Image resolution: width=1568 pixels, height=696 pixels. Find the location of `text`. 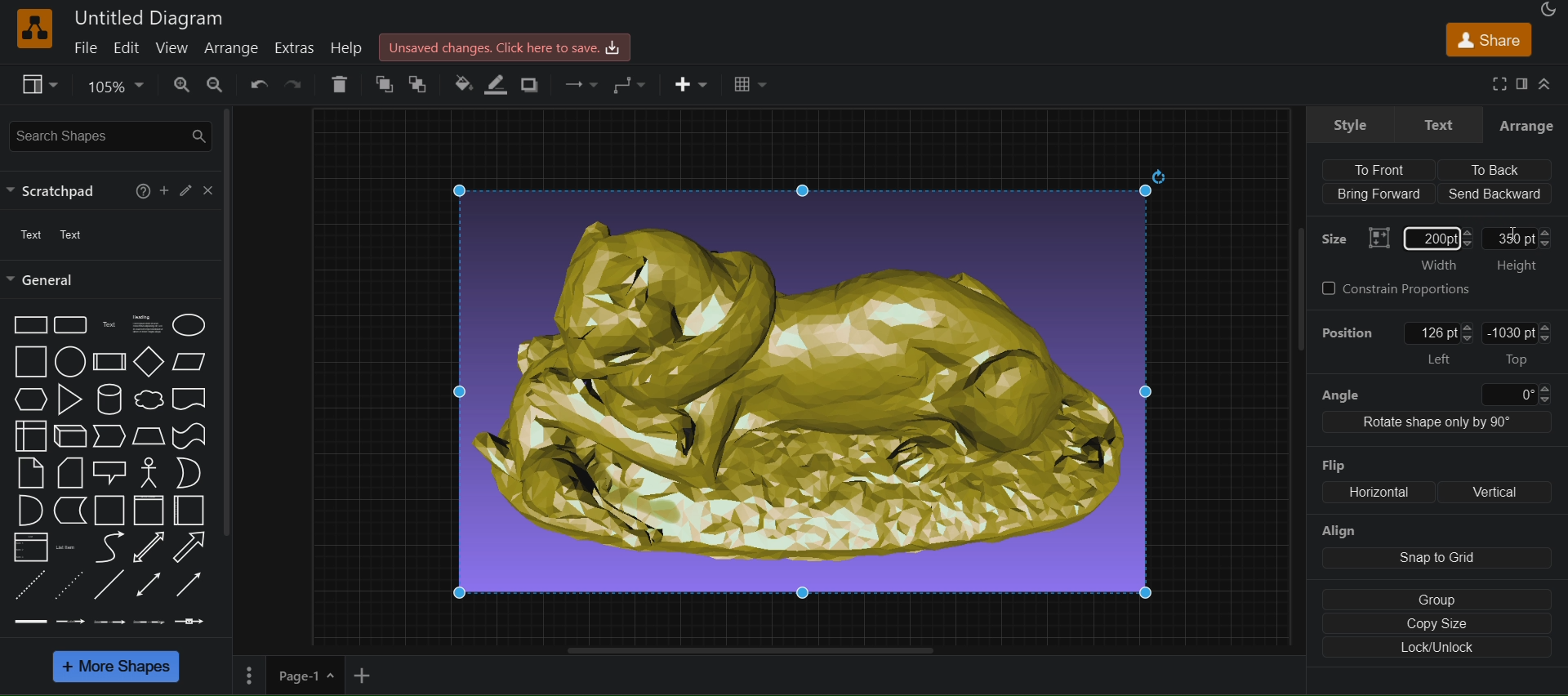

text is located at coordinates (1437, 124).